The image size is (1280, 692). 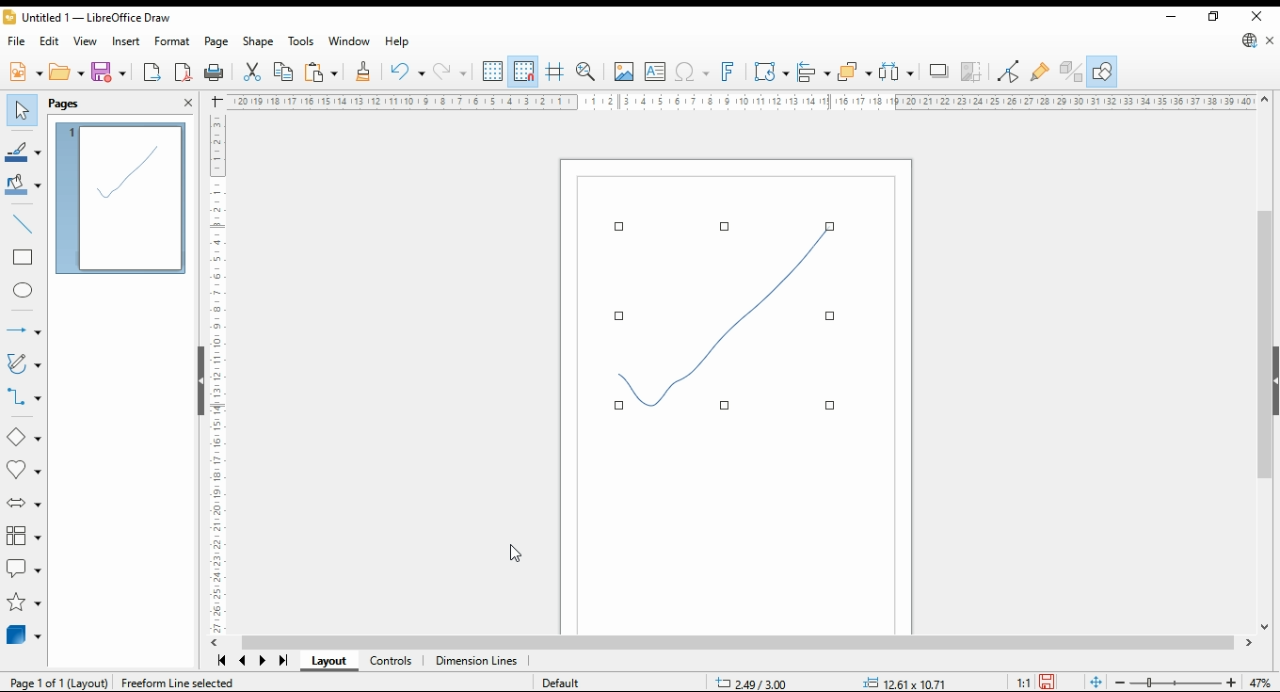 I want to click on open textbox, so click(x=656, y=72).